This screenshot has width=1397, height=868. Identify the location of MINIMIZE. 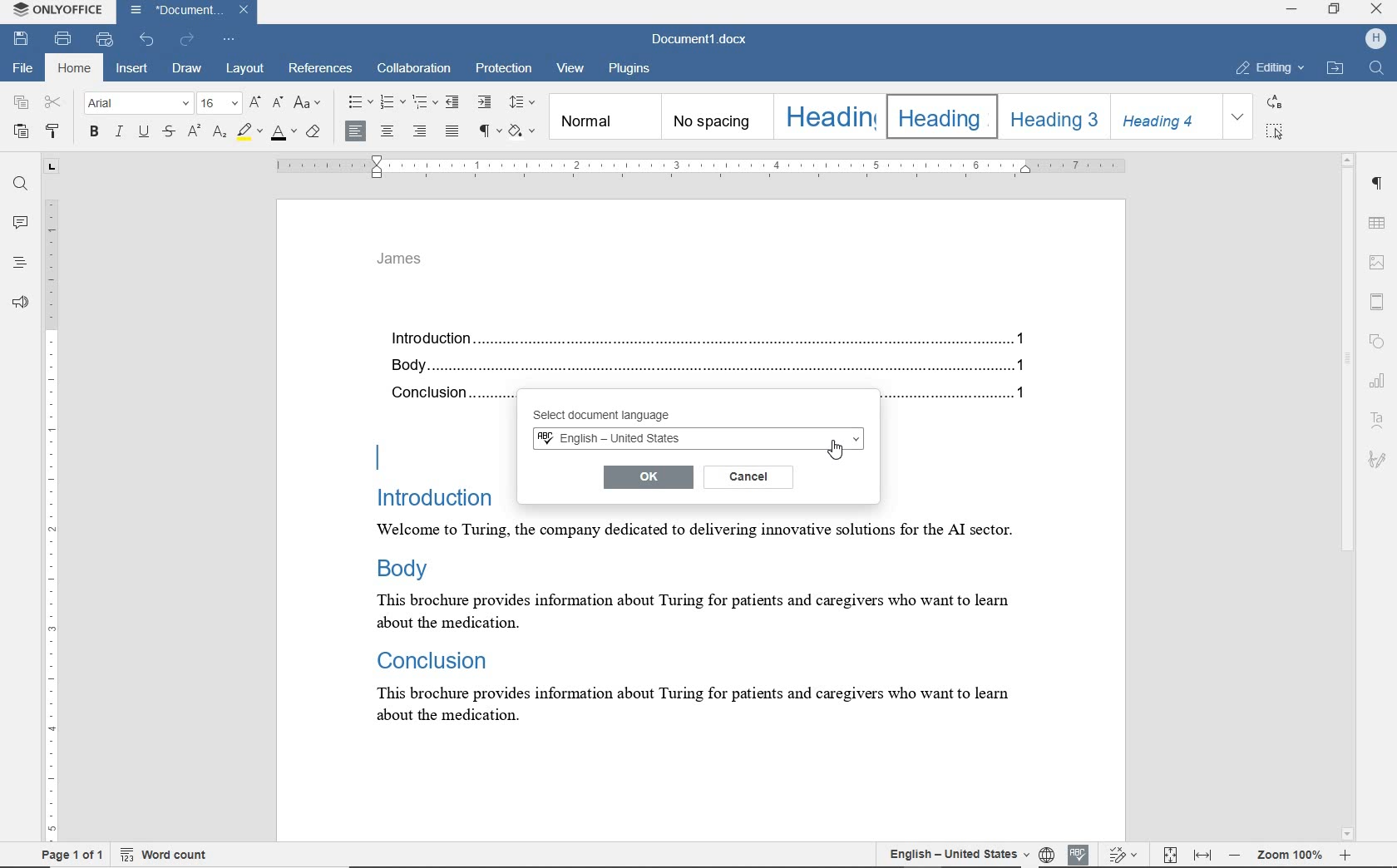
(1292, 12).